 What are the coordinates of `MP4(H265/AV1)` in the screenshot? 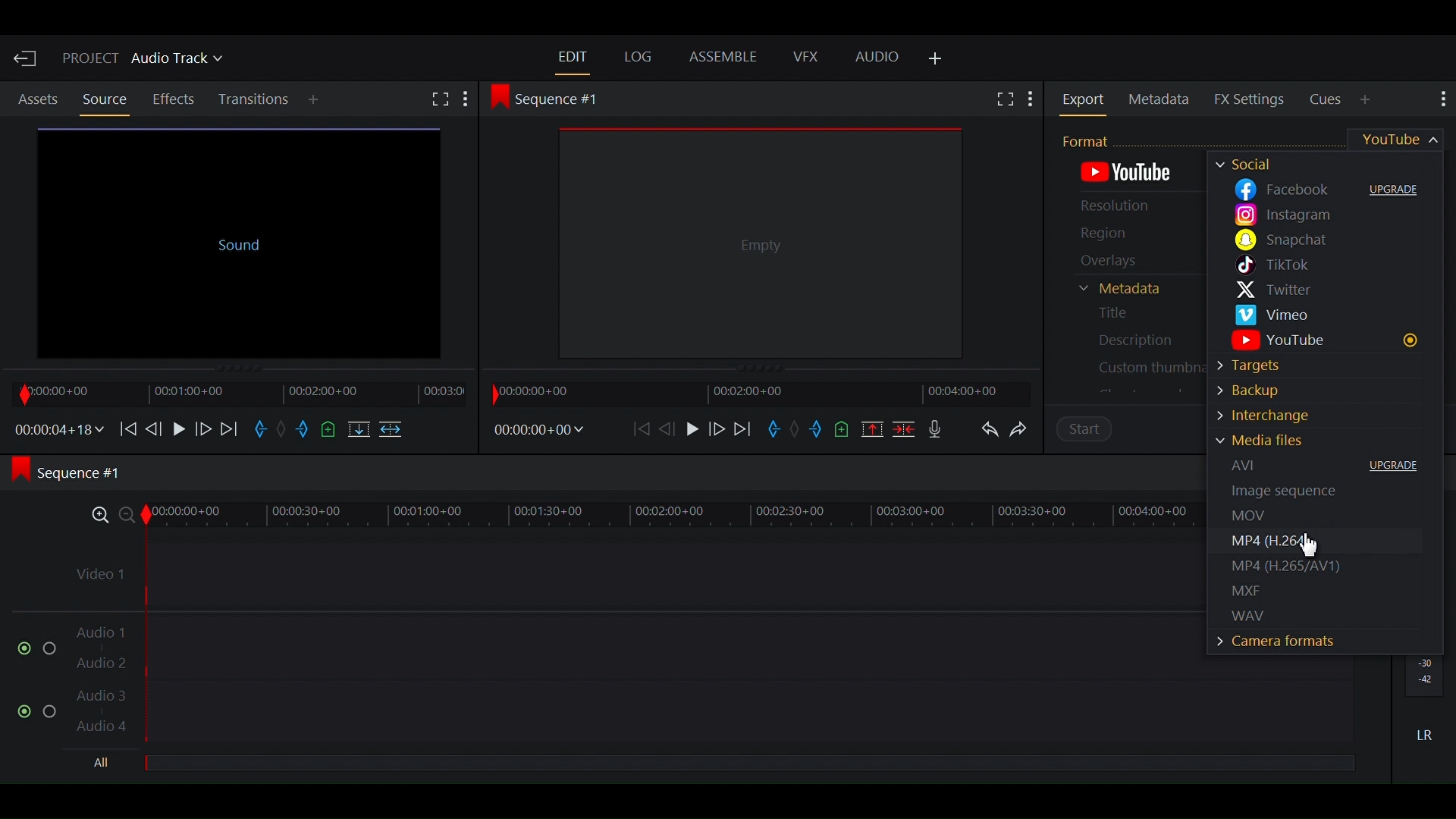 It's located at (1326, 566).